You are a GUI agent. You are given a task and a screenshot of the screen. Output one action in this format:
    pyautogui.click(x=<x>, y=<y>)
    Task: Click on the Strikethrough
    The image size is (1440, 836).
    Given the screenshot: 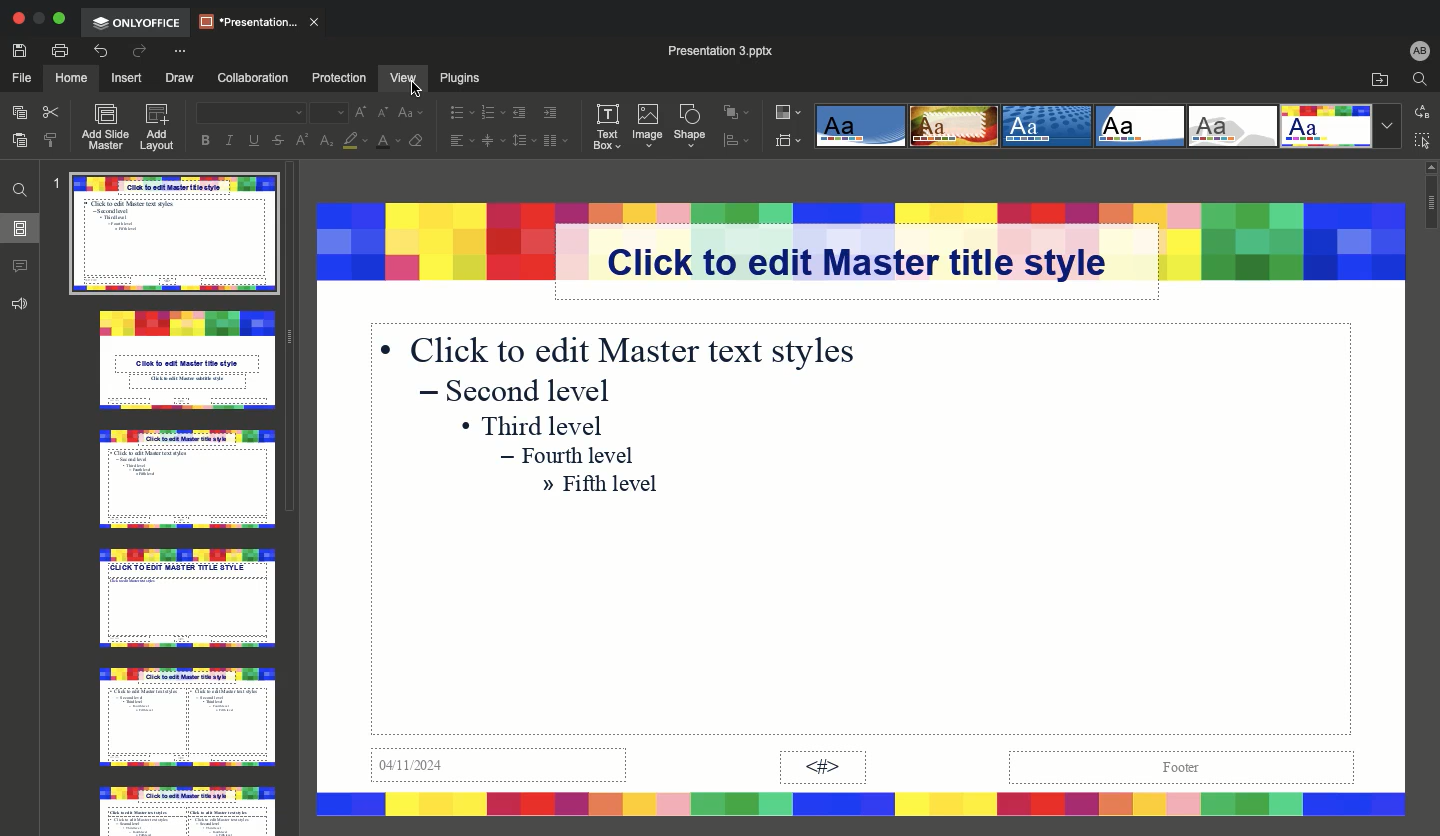 What is the action you would take?
    pyautogui.click(x=275, y=141)
    